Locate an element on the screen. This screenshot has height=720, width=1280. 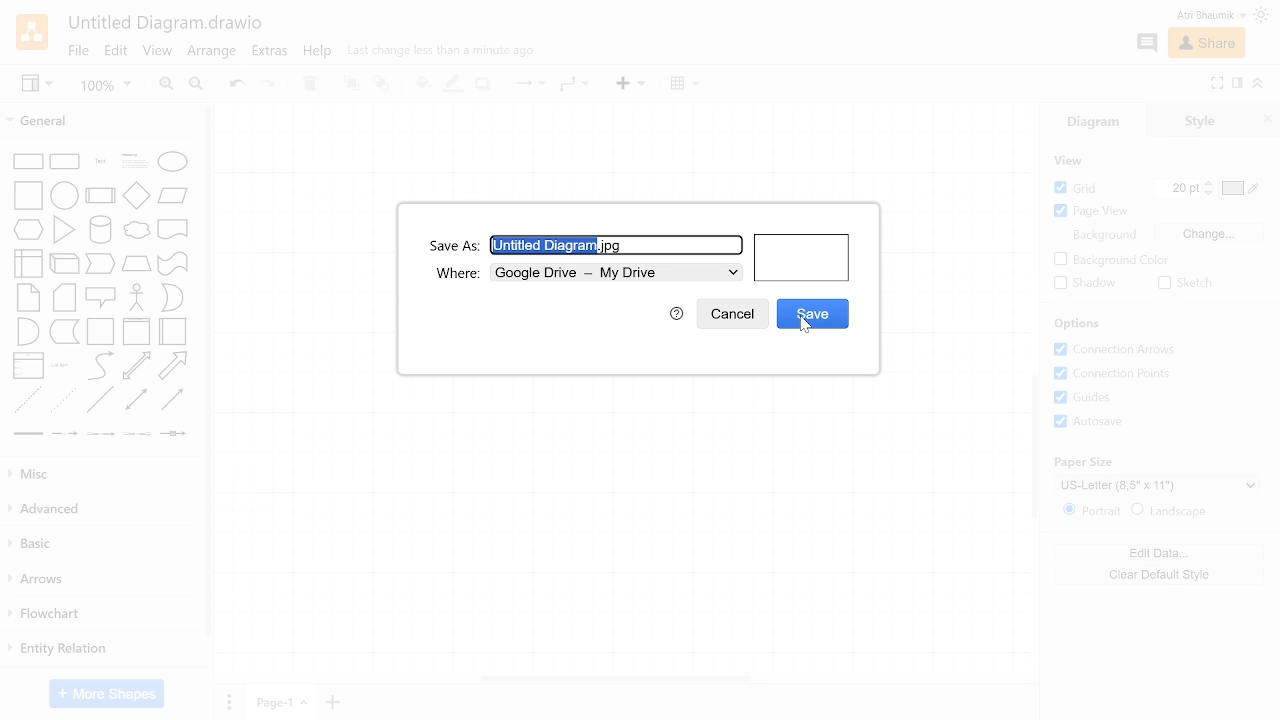
Help is located at coordinates (320, 53).